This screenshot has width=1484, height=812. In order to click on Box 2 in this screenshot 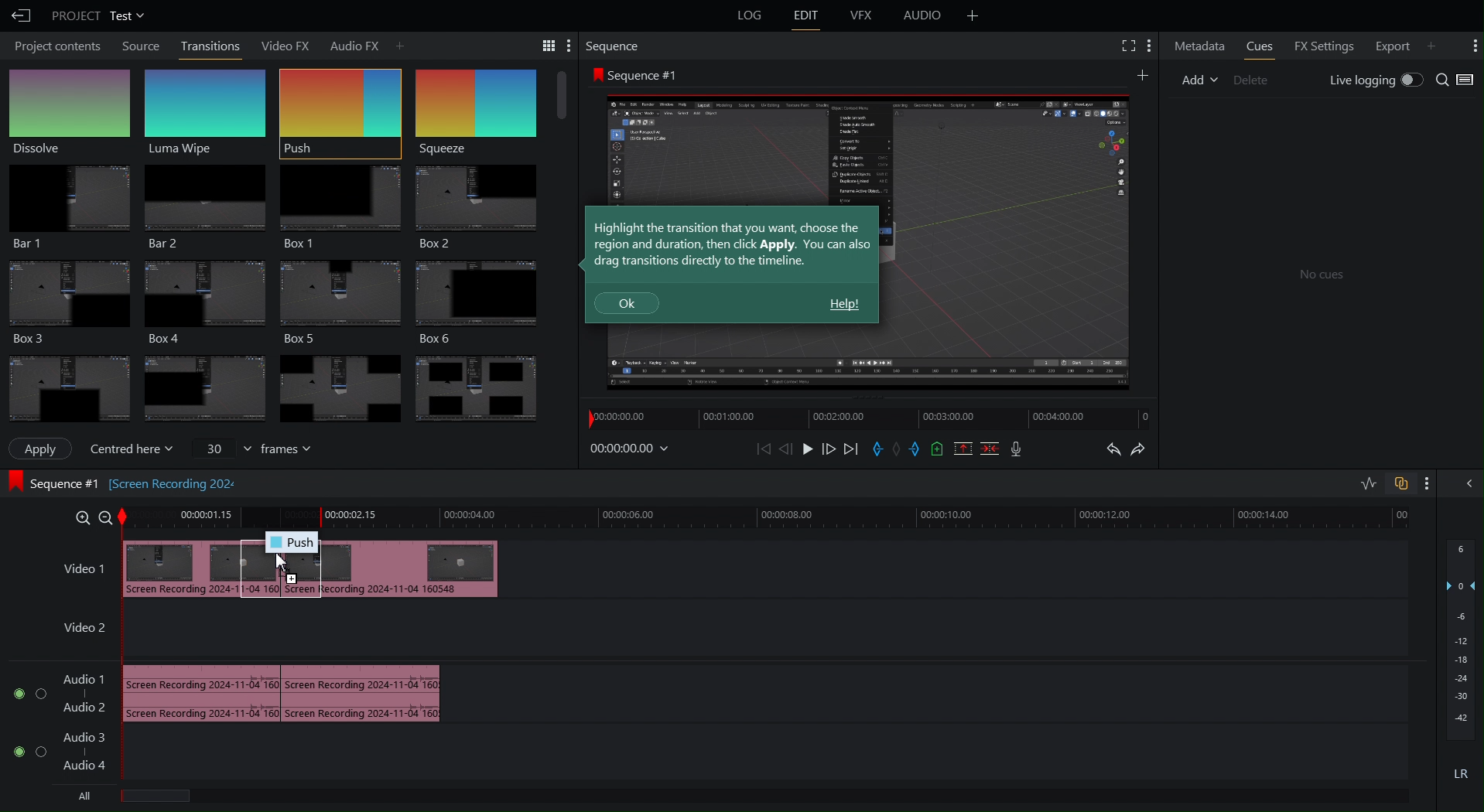, I will do `click(477, 208)`.